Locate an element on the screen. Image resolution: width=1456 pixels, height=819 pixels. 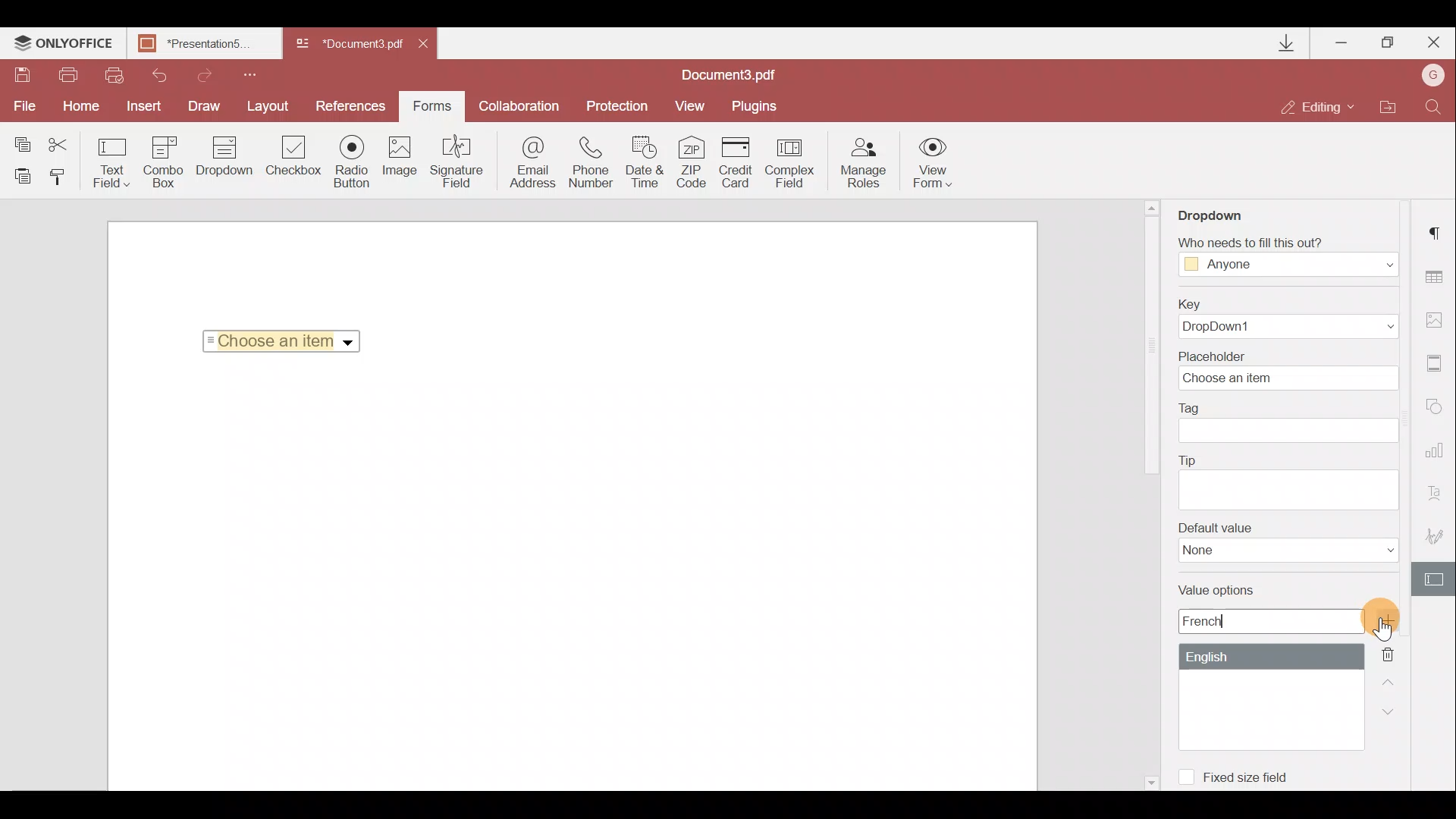
Open file location is located at coordinates (1387, 108).